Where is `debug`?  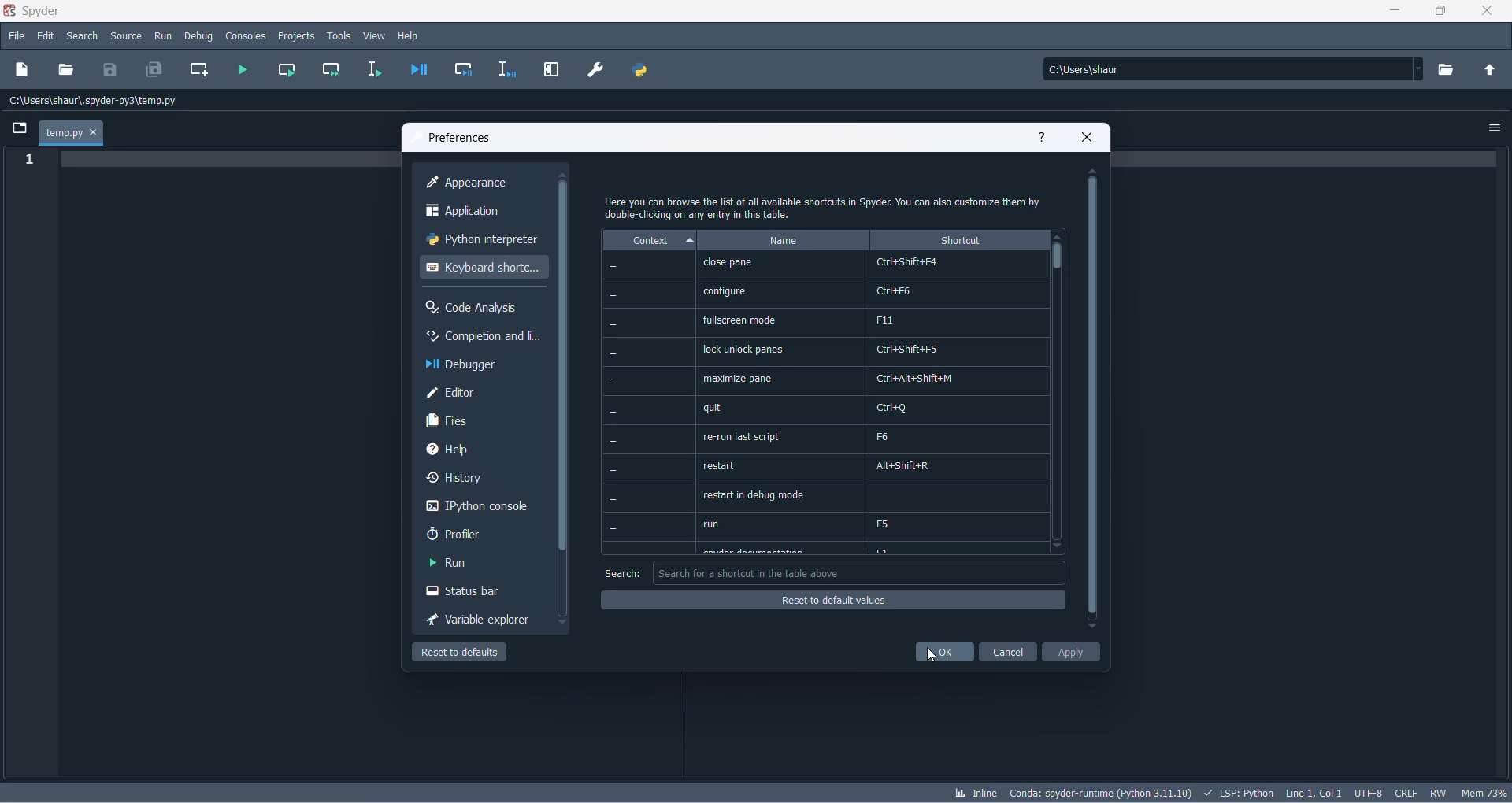 debug is located at coordinates (202, 36).